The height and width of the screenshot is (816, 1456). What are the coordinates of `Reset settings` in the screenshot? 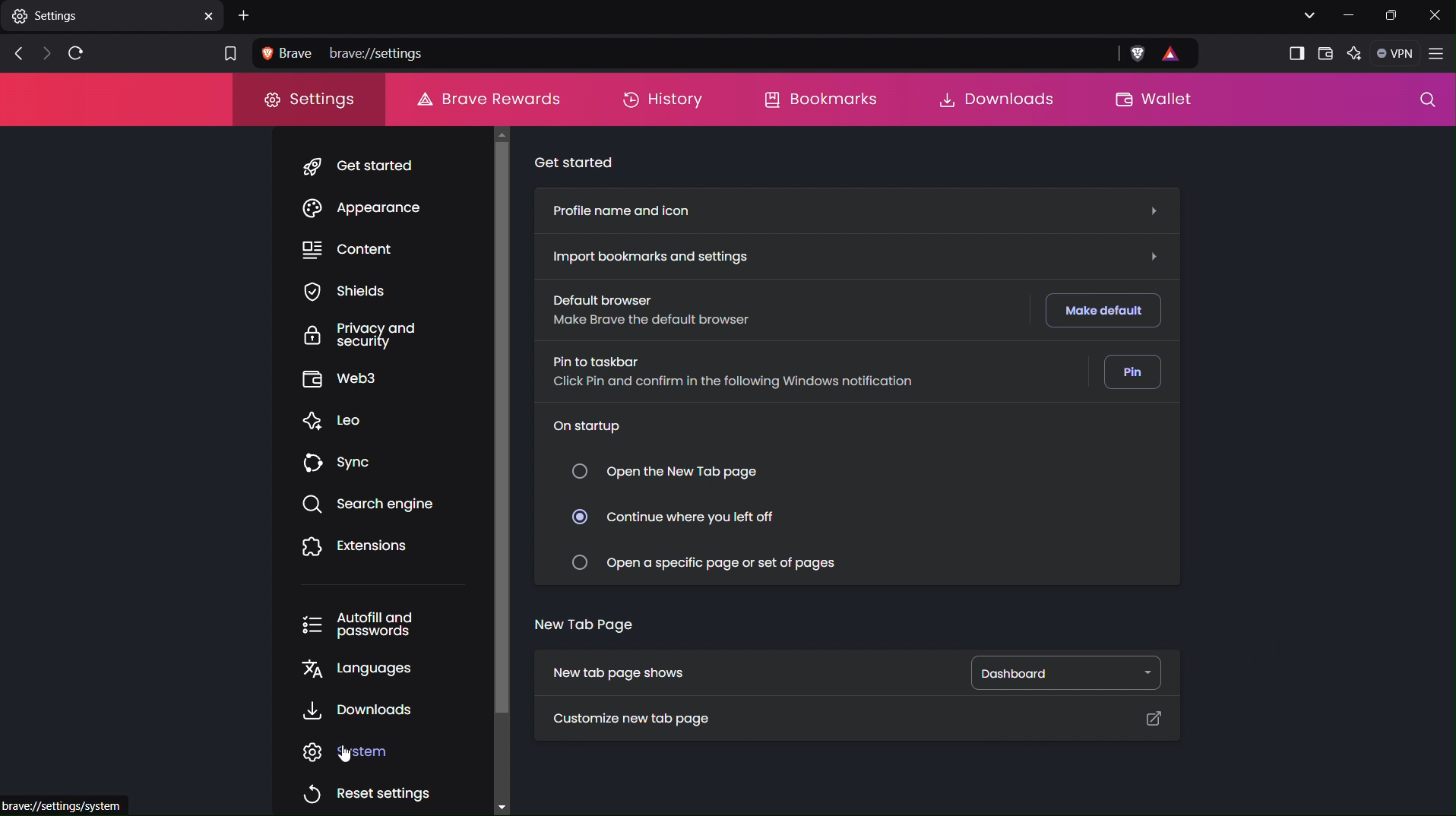 It's located at (363, 789).